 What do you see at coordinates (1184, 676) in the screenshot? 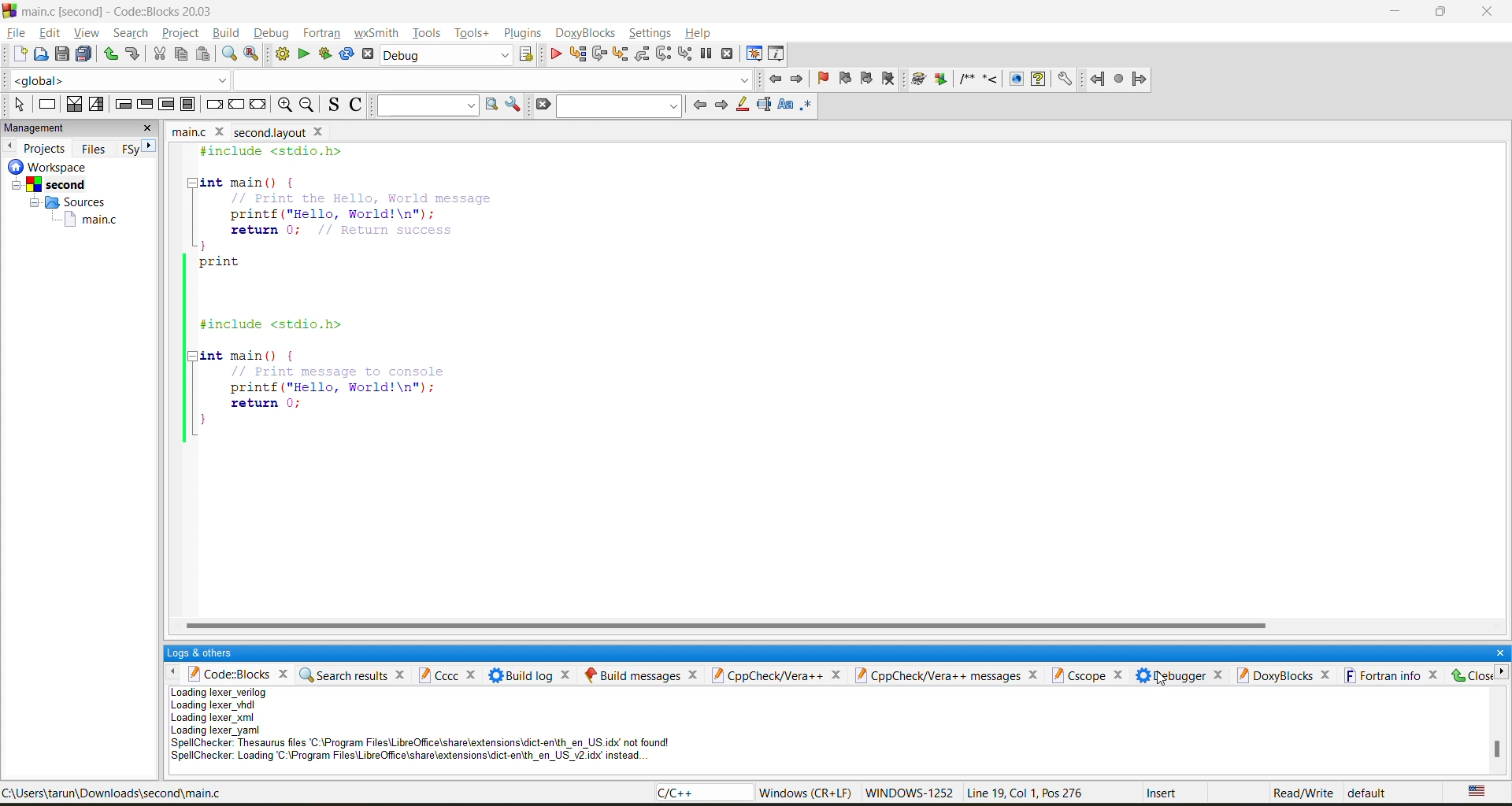
I see `debugger` at bounding box center [1184, 676].